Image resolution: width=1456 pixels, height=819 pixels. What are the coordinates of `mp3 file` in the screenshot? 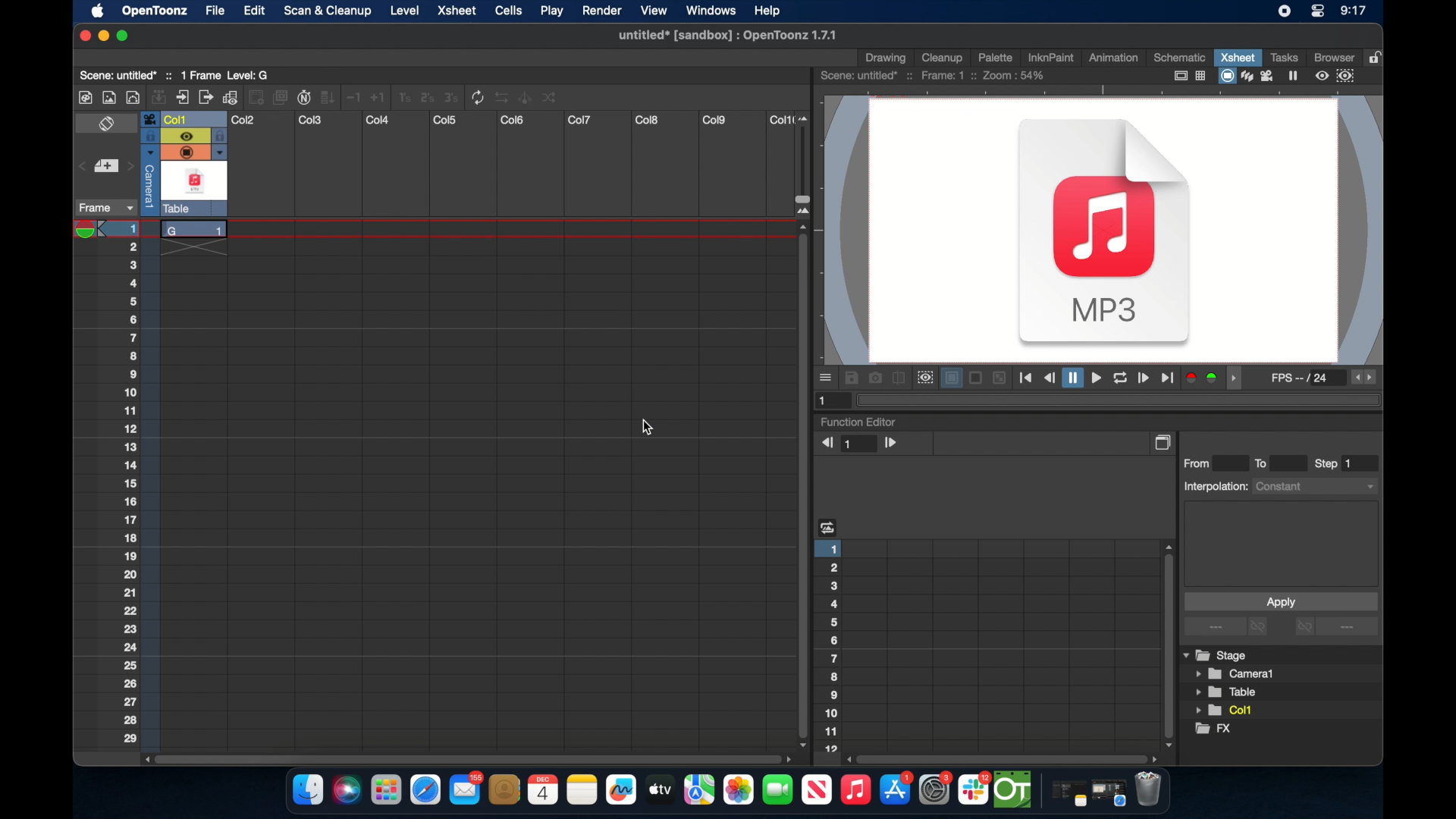 It's located at (1105, 236).